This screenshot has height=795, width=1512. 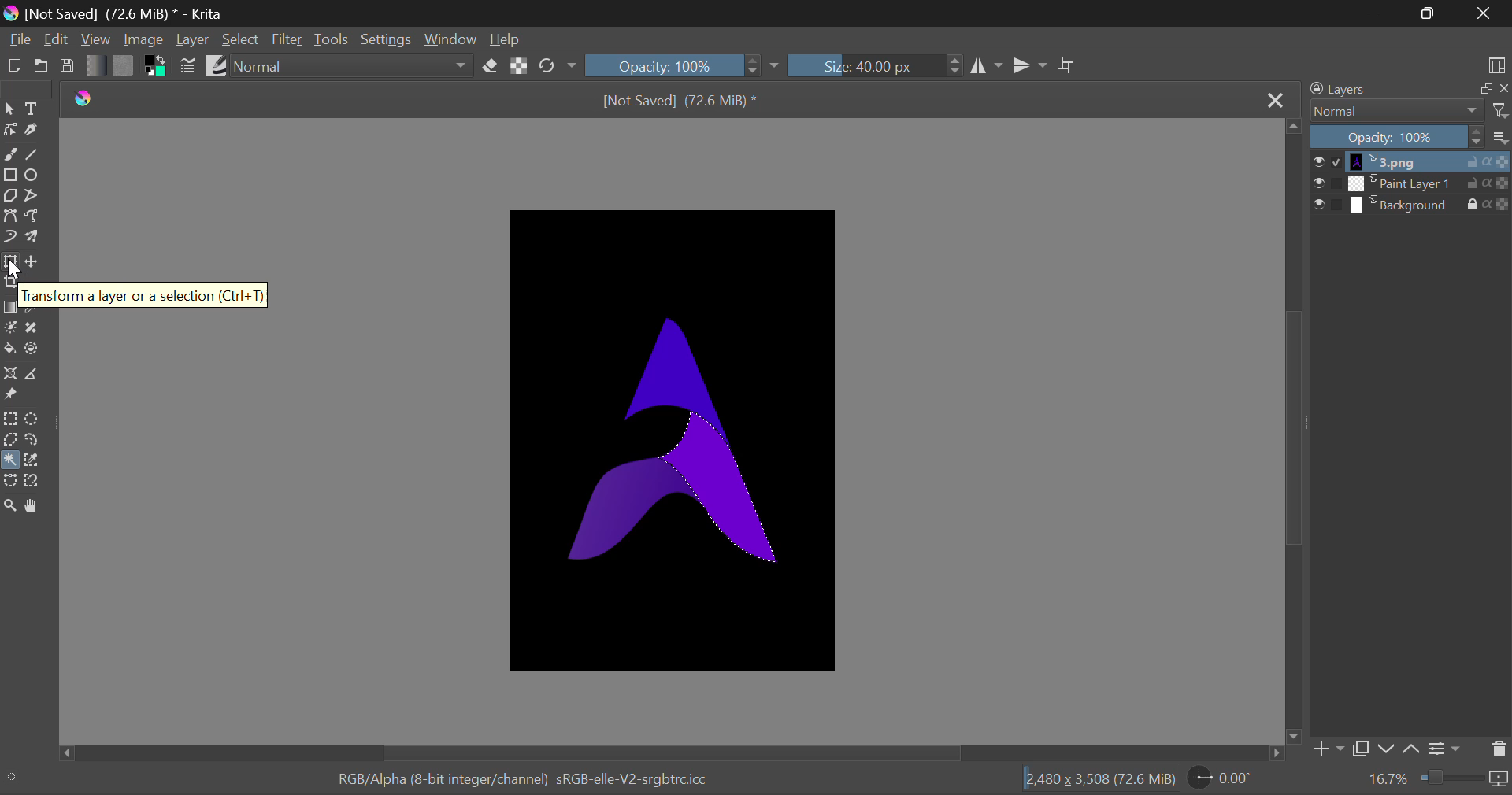 What do you see at coordinates (36, 505) in the screenshot?
I see `Pan` at bounding box center [36, 505].